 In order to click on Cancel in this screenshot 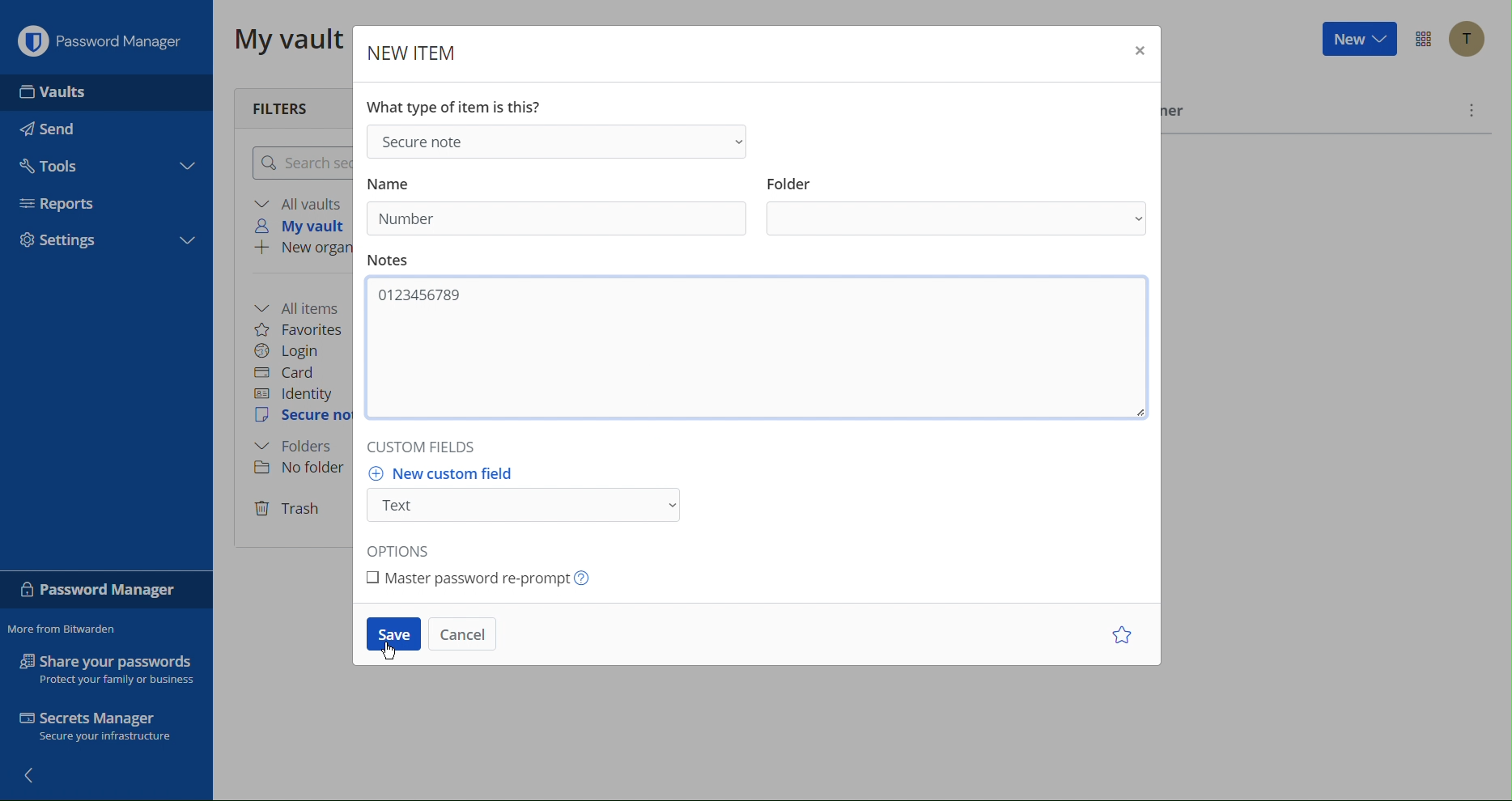, I will do `click(466, 636)`.